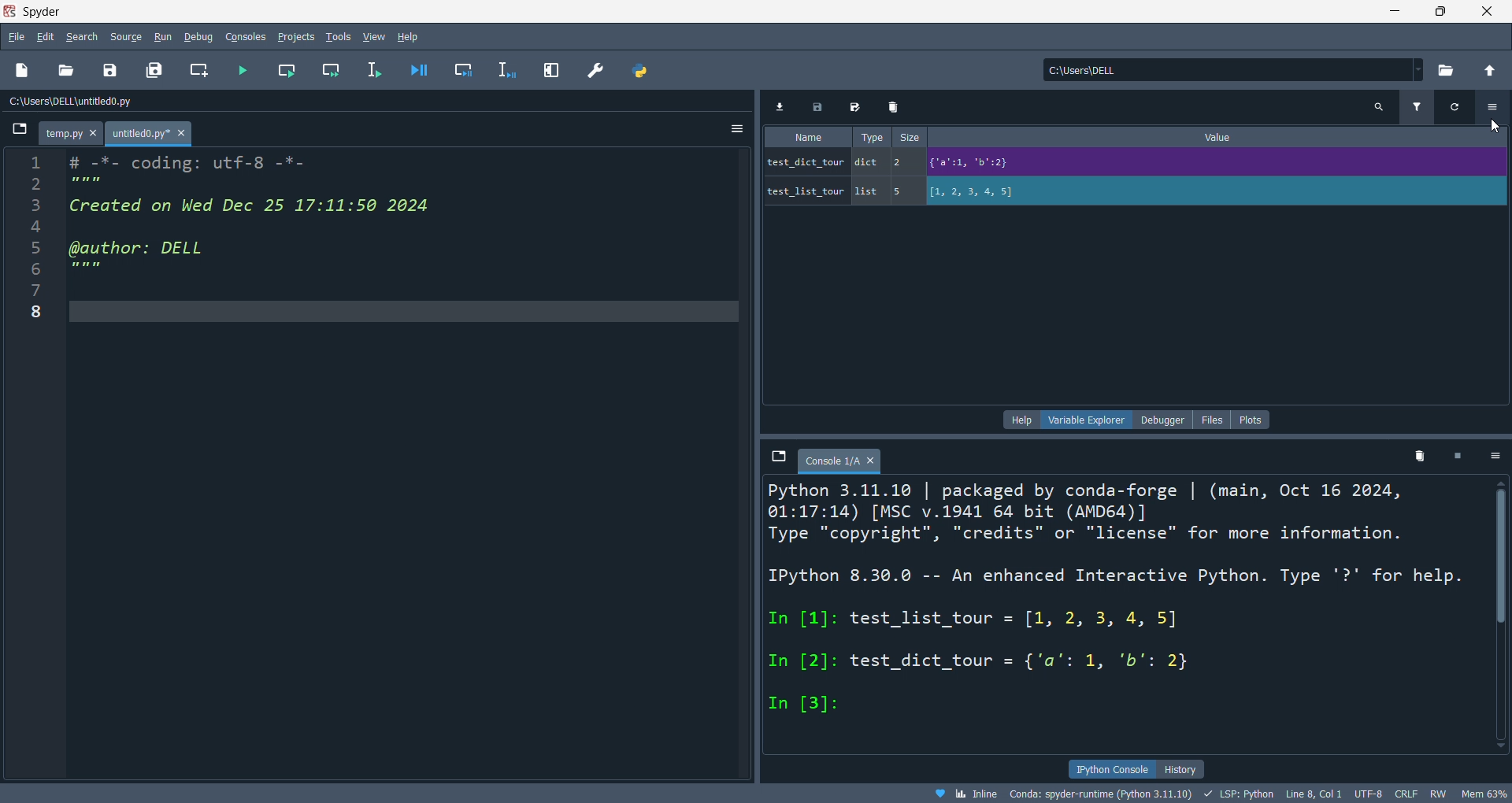 The height and width of the screenshot is (803, 1512). What do you see at coordinates (1445, 73) in the screenshot?
I see `open directory` at bounding box center [1445, 73].